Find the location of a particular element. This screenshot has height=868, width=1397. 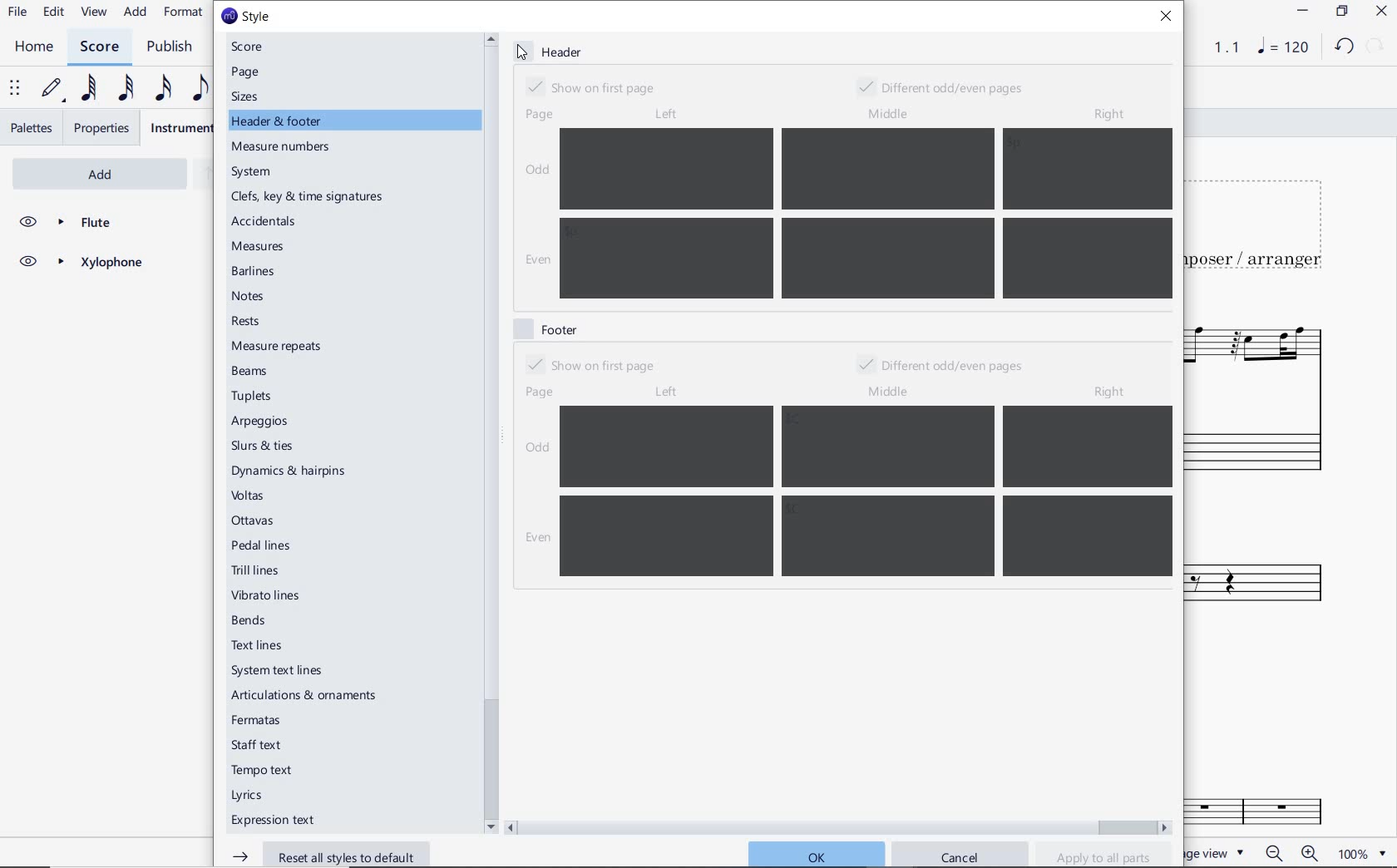

dynamics & hairpins is located at coordinates (292, 471).